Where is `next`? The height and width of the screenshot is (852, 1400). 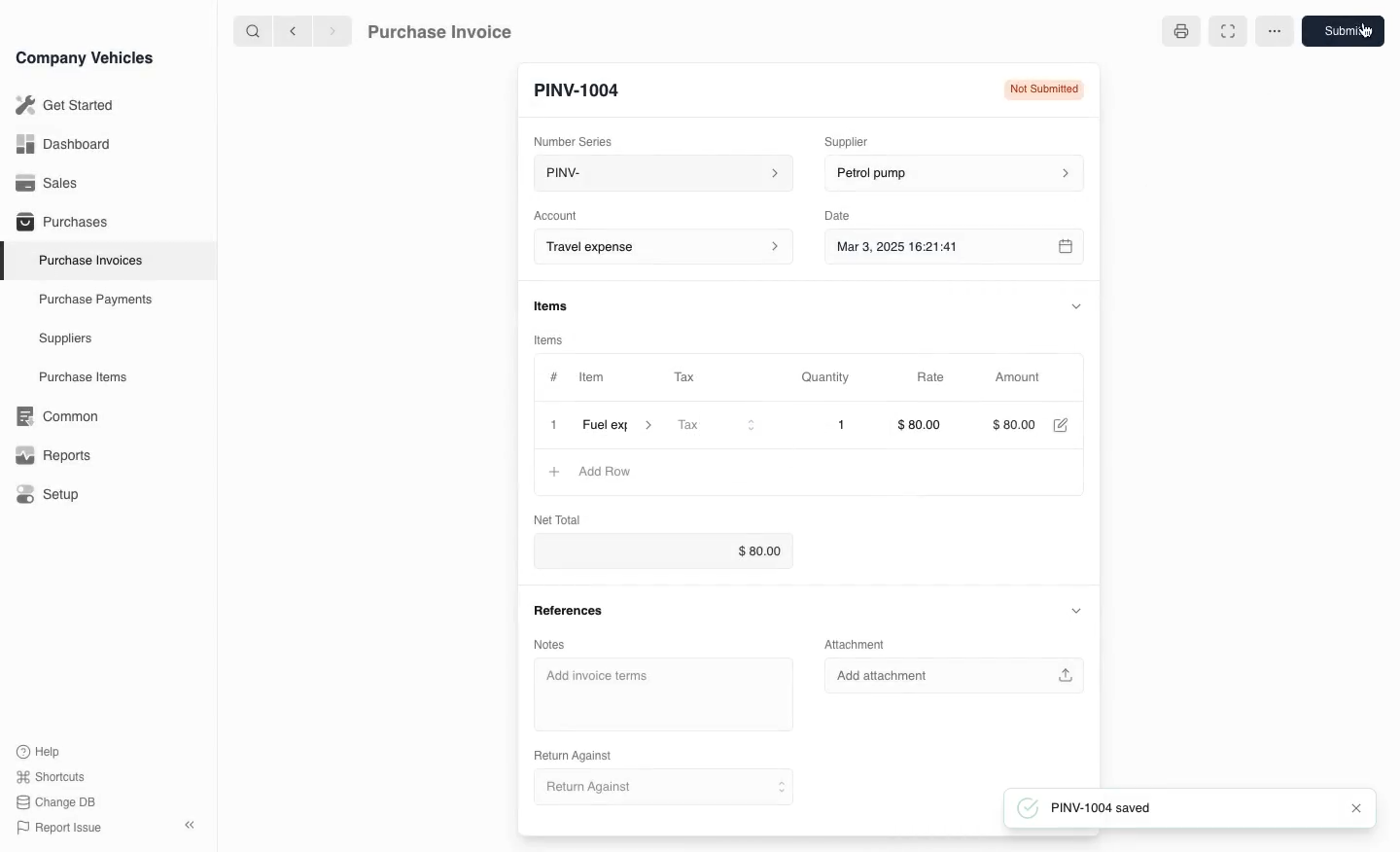
next is located at coordinates (332, 30).